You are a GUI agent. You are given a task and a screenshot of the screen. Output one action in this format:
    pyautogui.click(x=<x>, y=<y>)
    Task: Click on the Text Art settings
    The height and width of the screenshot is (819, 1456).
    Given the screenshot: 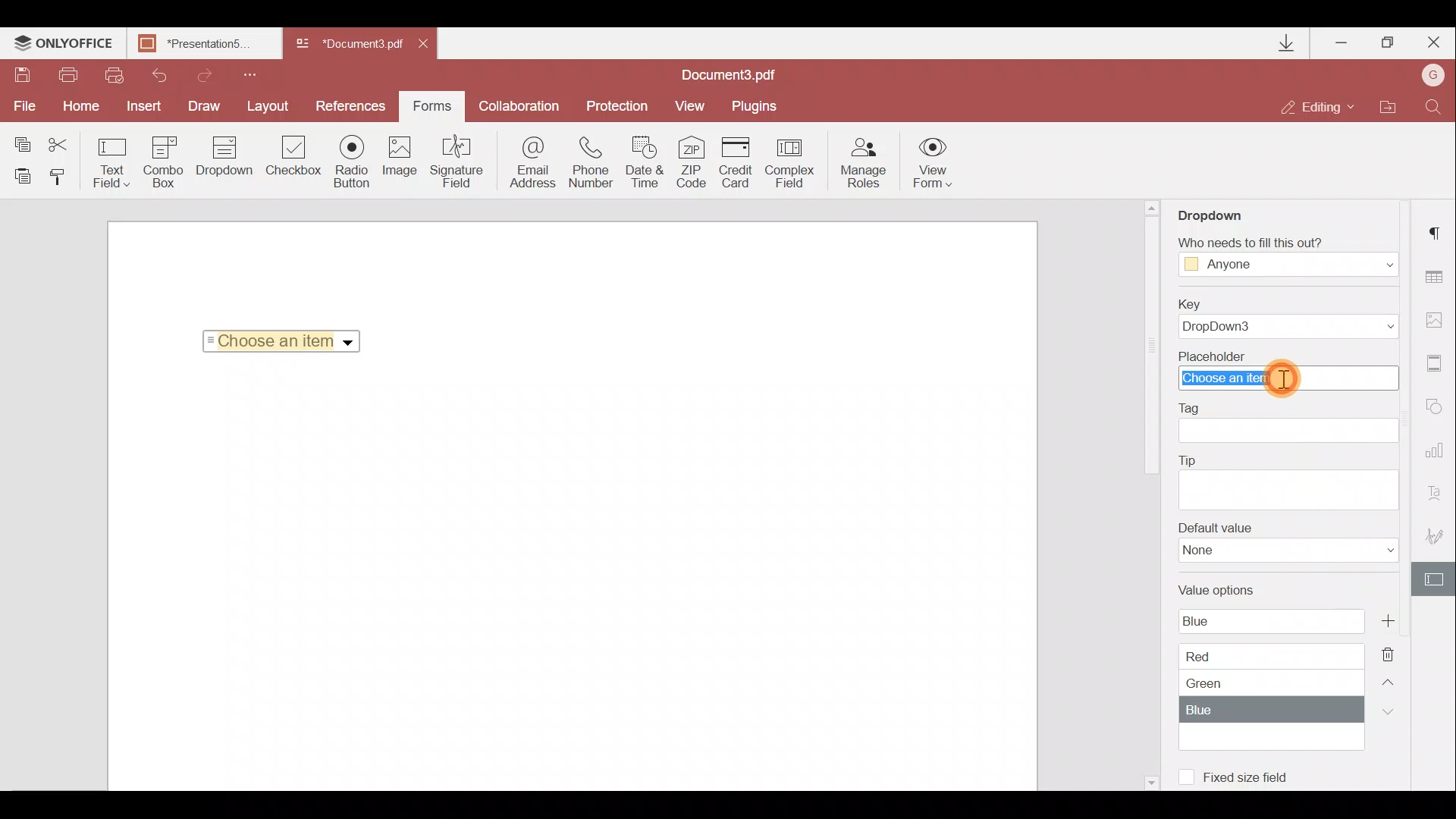 What is the action you would take?
    pyautogui.click(x=1439, y=491)
    